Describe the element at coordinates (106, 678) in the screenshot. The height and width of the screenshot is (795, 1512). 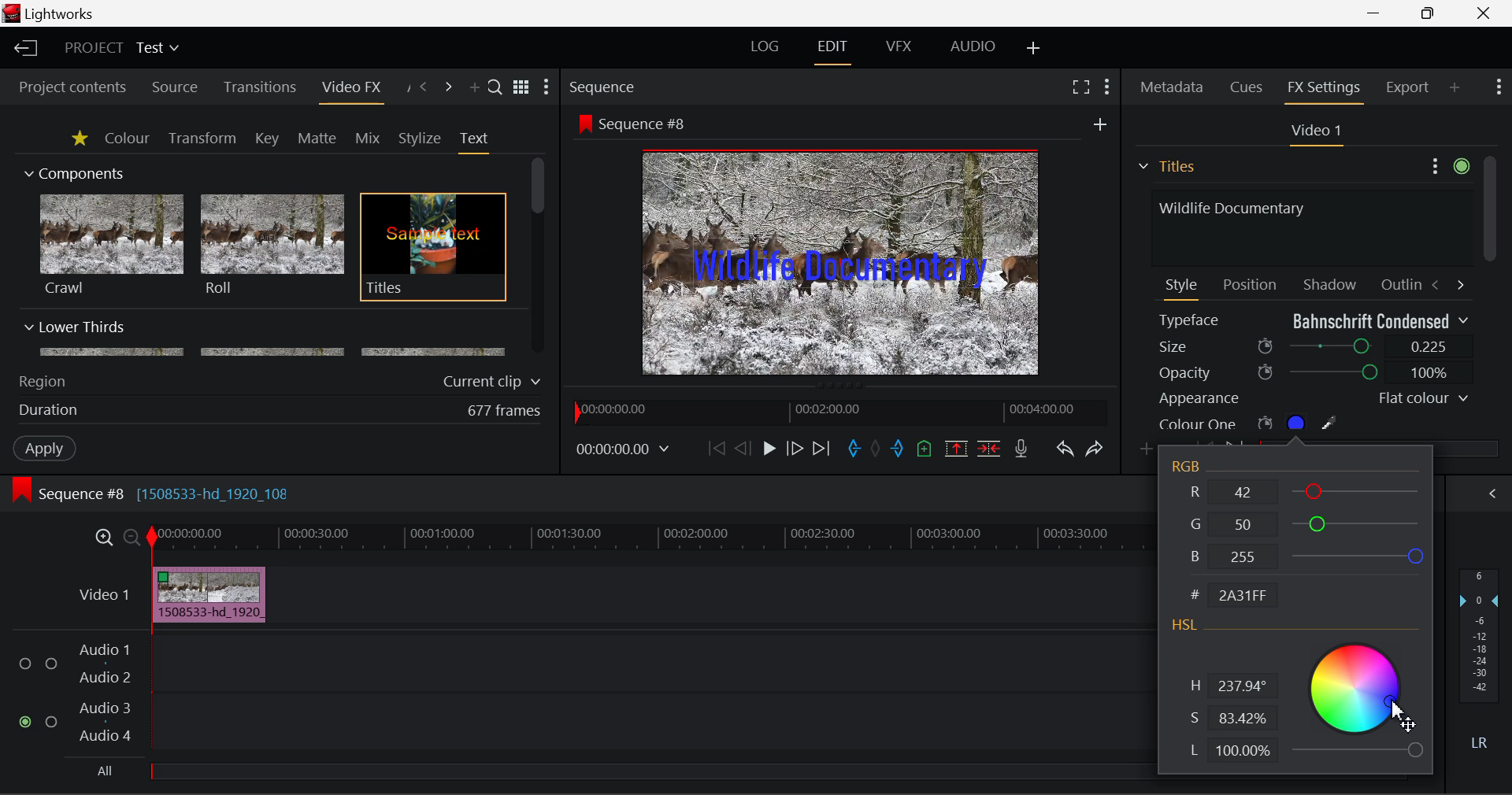
I see `Audio 2` at that location.